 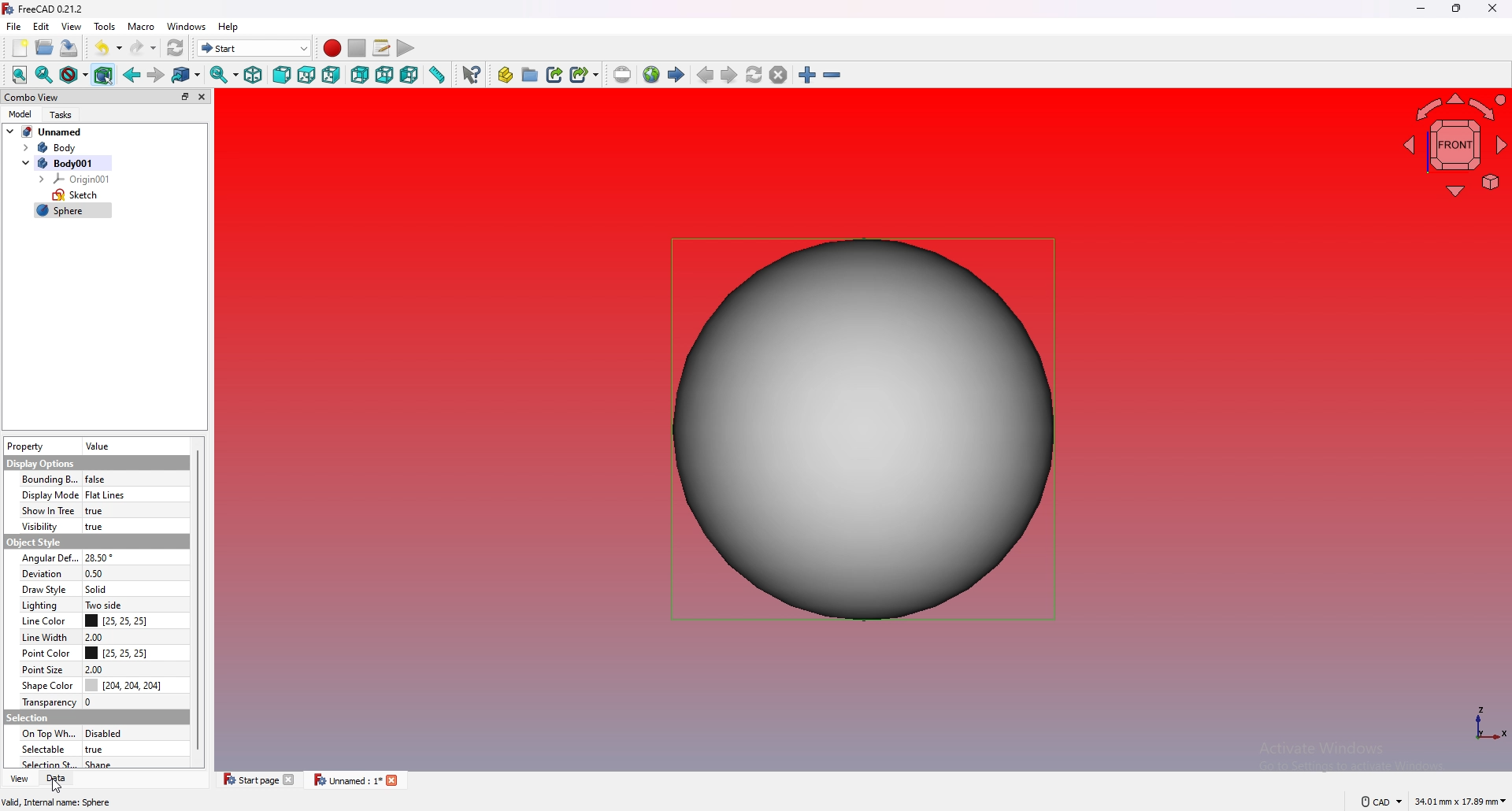 What do you see at coordinates (94, 749) in the screenshot?
I see `selectable` at bounding box center [94, 749].